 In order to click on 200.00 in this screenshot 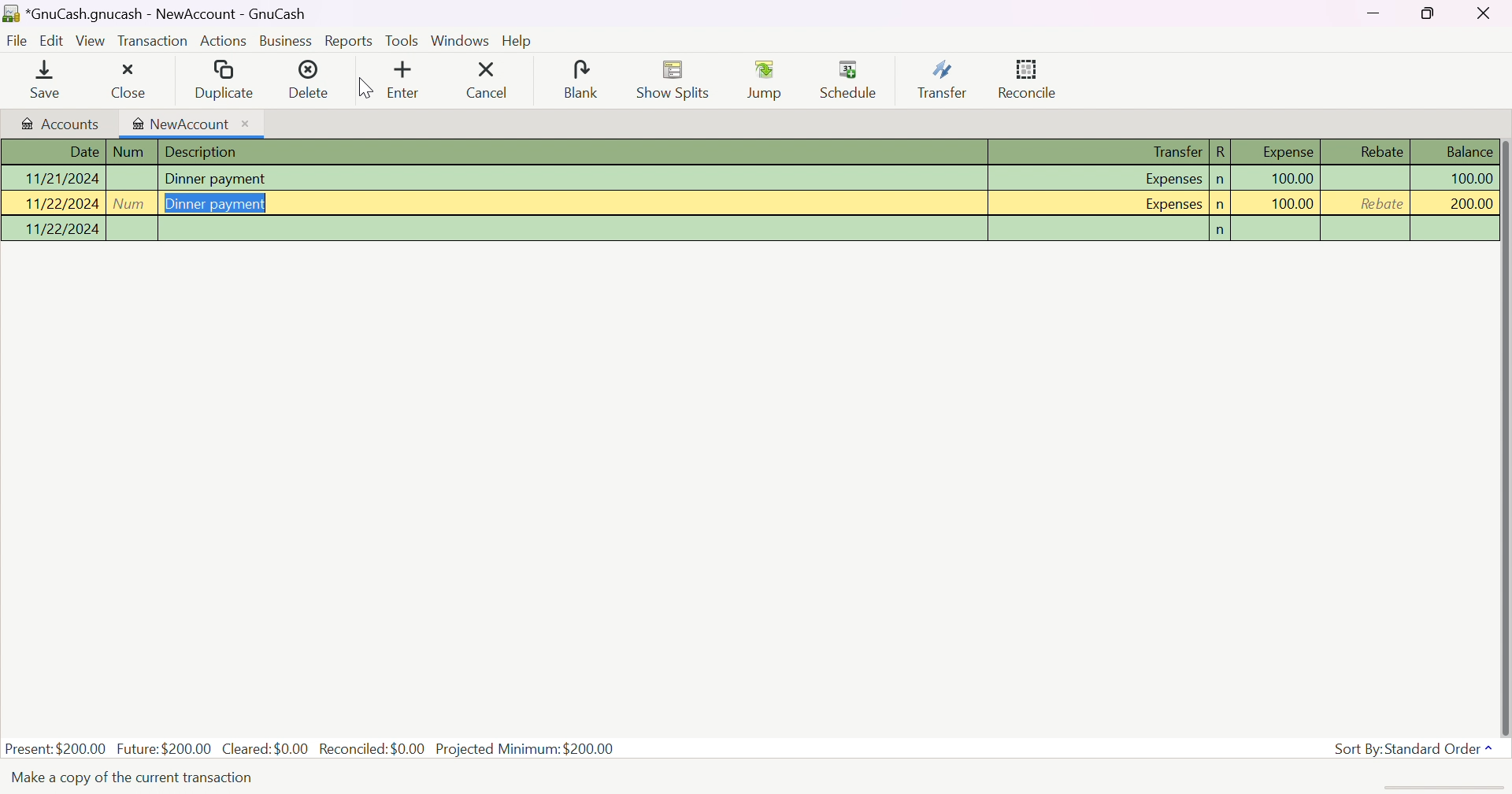, I will do `click(1472, 203)`.